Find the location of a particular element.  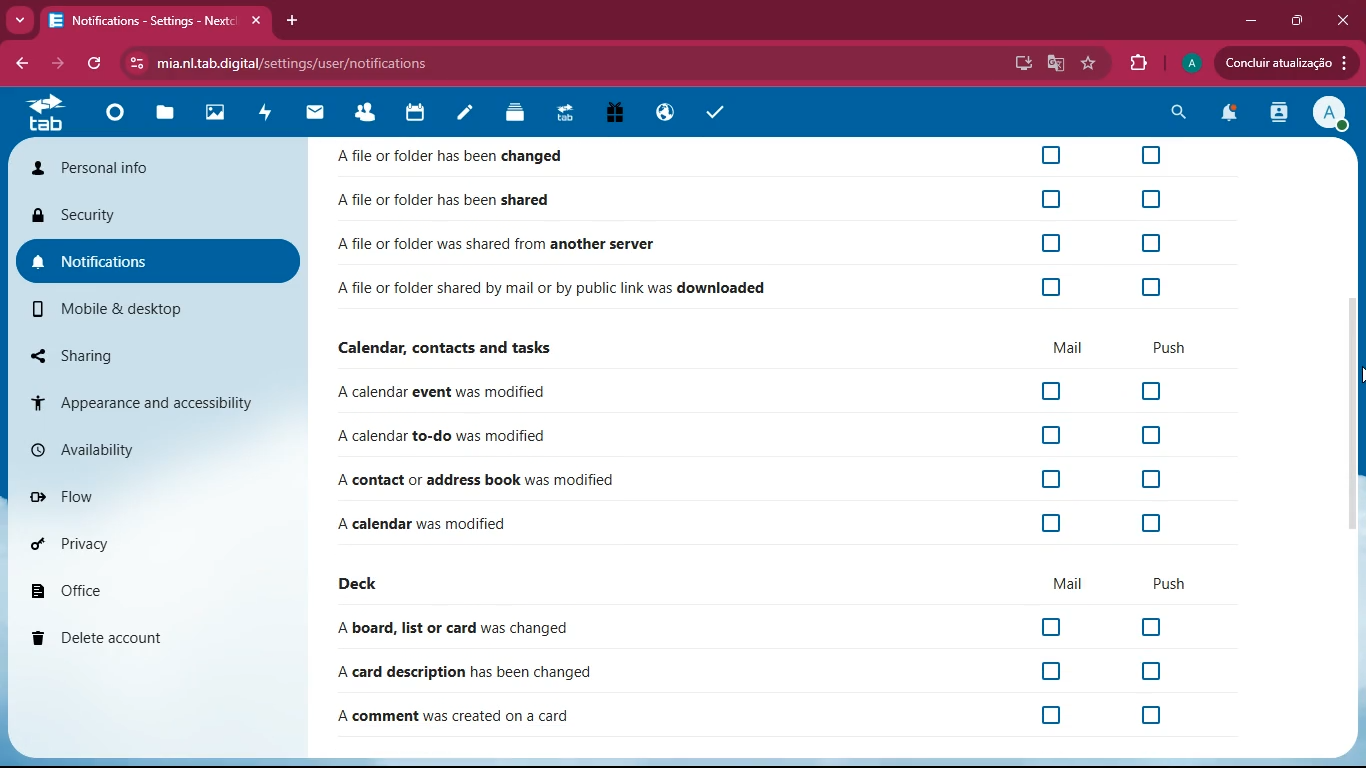

flow is located at coordinates (147, 499).